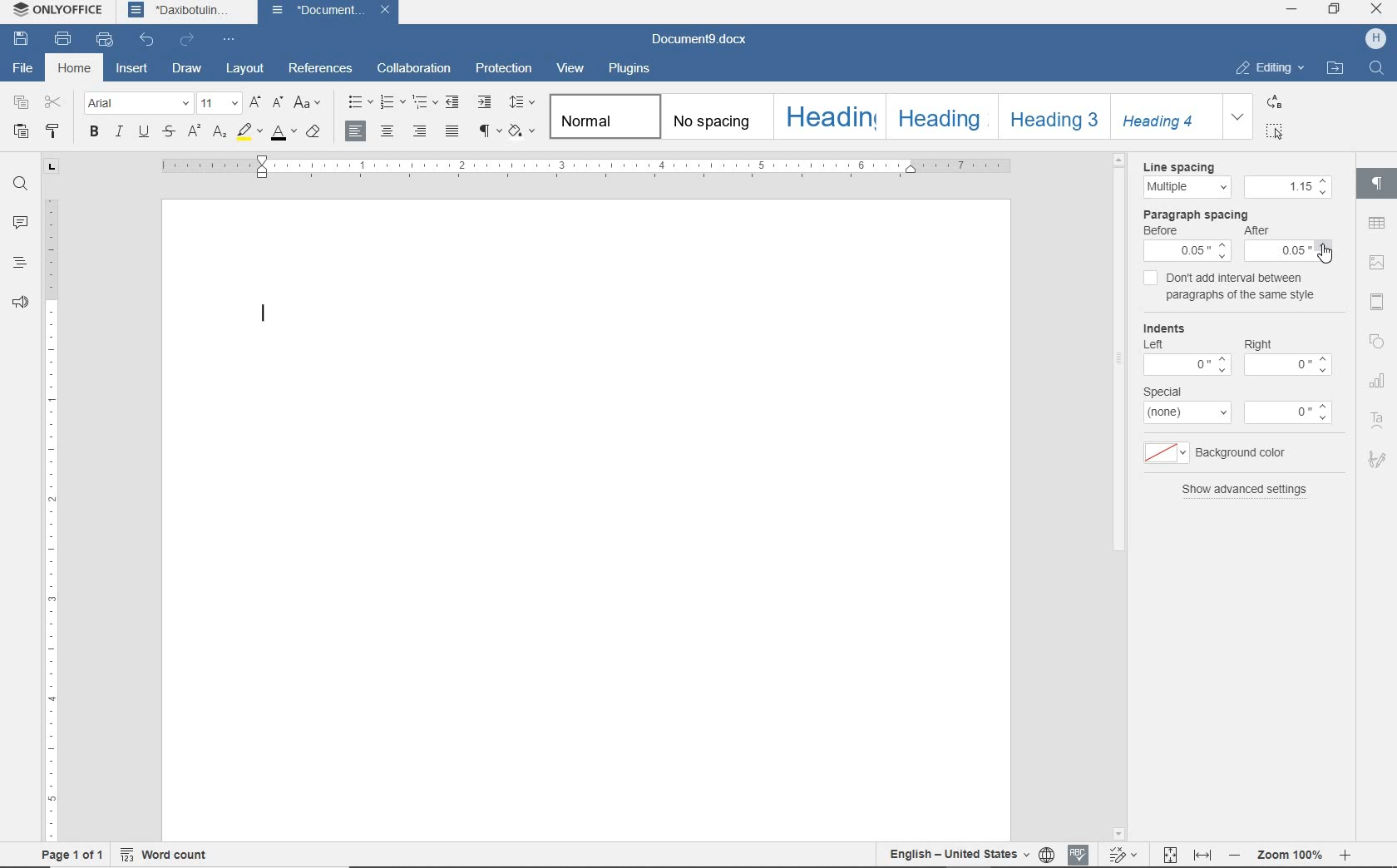  I want to click on paragraph line spacing, so click(521, 104).